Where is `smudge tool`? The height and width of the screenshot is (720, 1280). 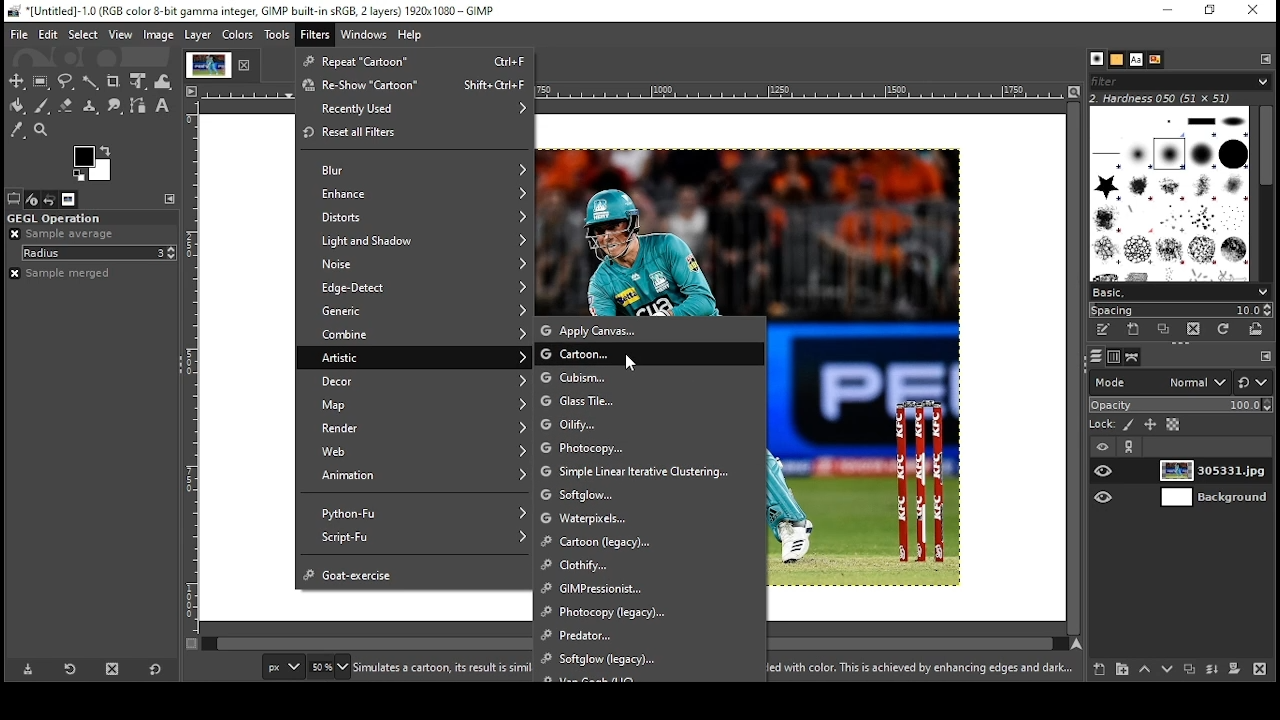 smudge tool is located at coordinates (114, 106).